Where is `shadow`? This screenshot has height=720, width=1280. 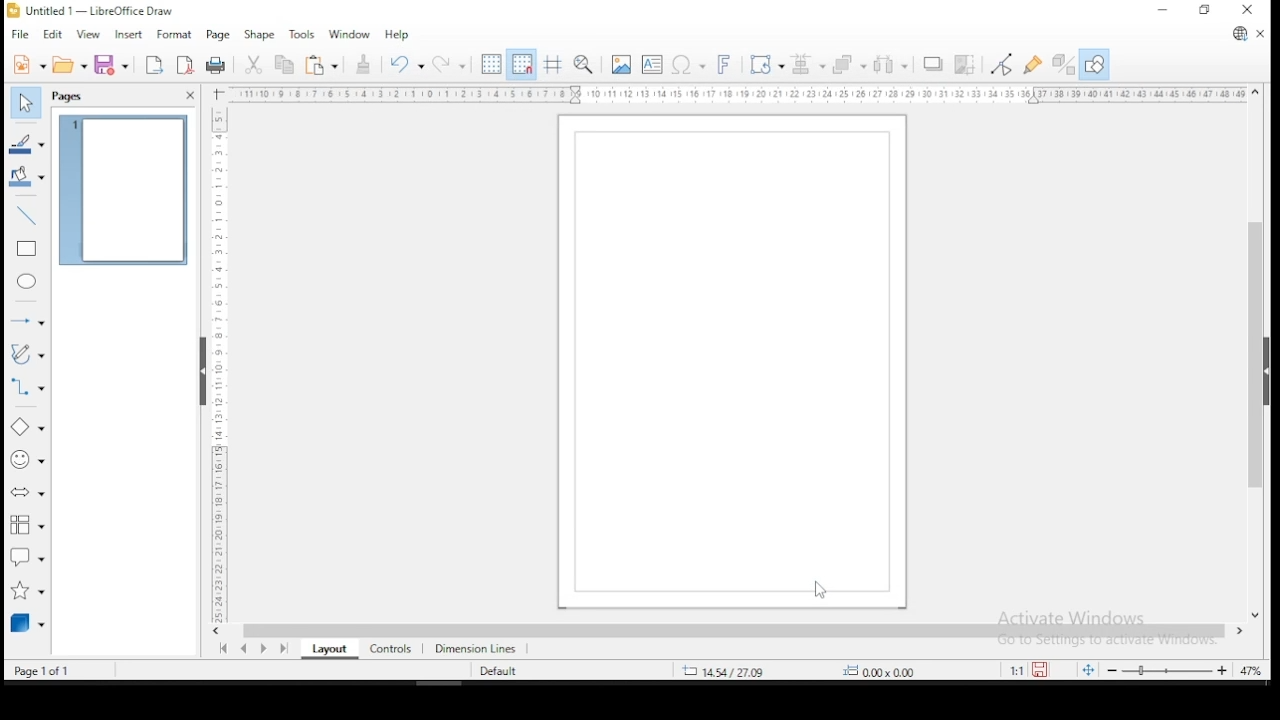
shadow is located at coordinates (933, 65).